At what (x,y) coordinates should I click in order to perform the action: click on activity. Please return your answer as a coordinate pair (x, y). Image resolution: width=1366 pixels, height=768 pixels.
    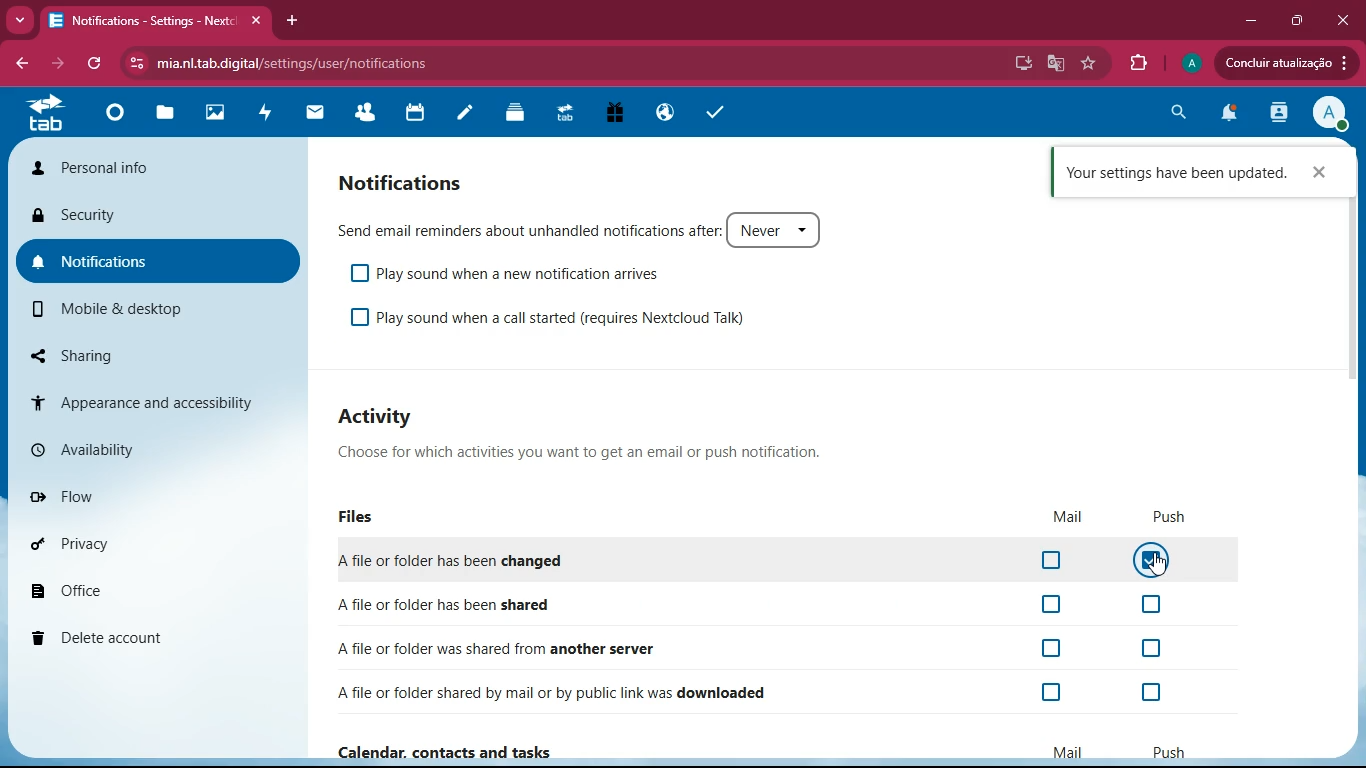
    Looking at the image, I should click on (1278, 115).